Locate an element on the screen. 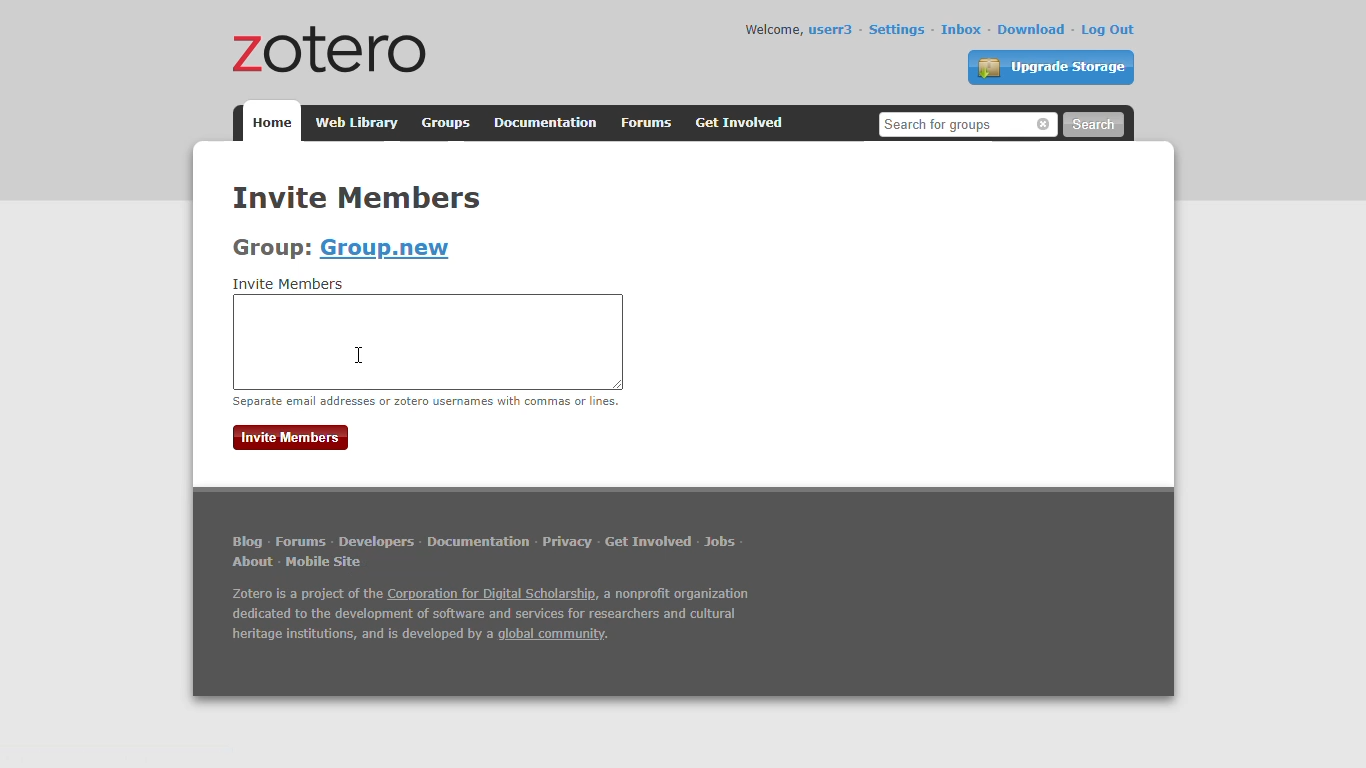 The image size is (1366, 768). group: Group.new is located at coordinates (341, 248).